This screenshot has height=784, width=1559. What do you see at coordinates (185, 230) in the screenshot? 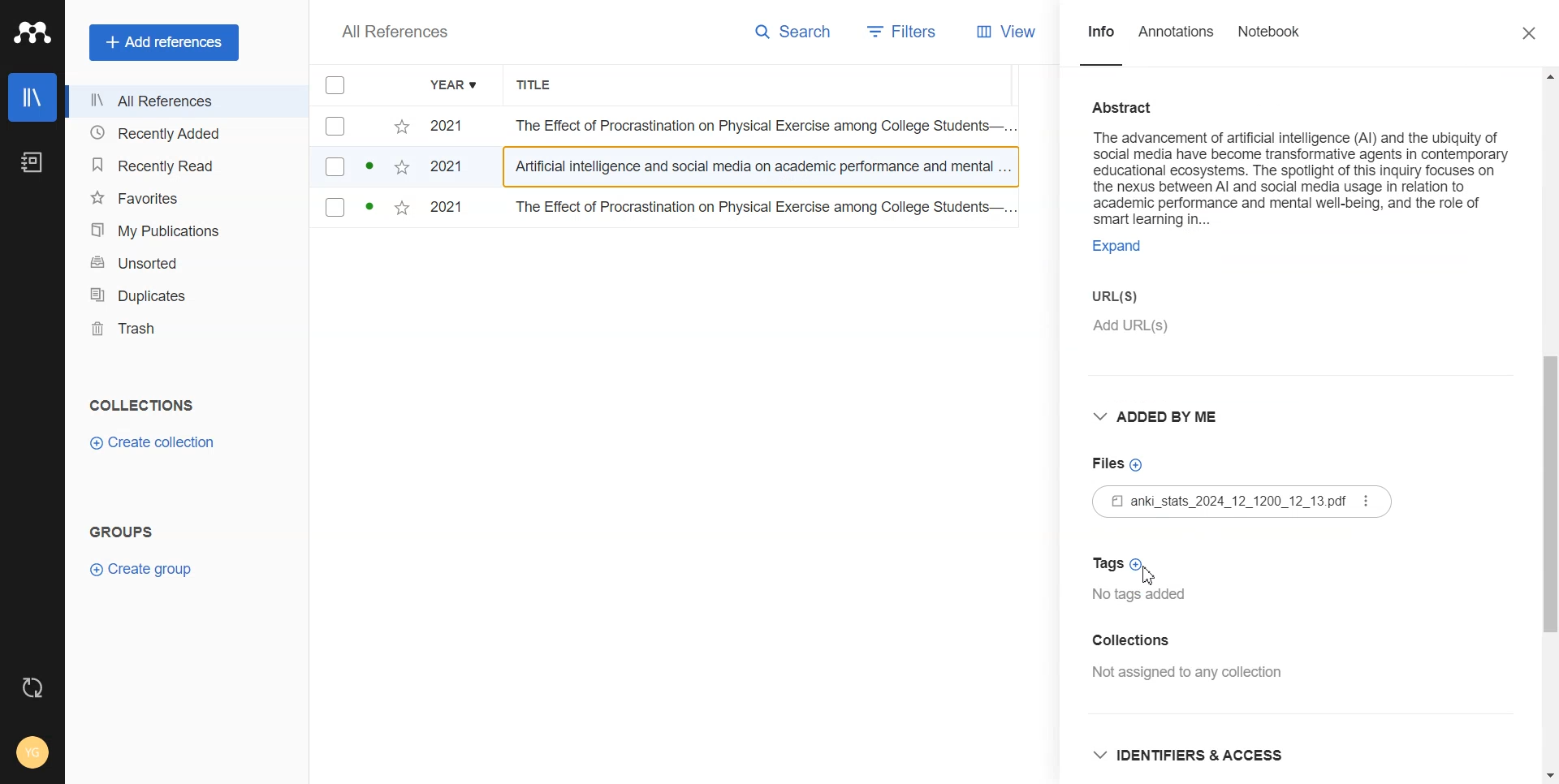
I see `My Publication` at bounding box center [185, 230].